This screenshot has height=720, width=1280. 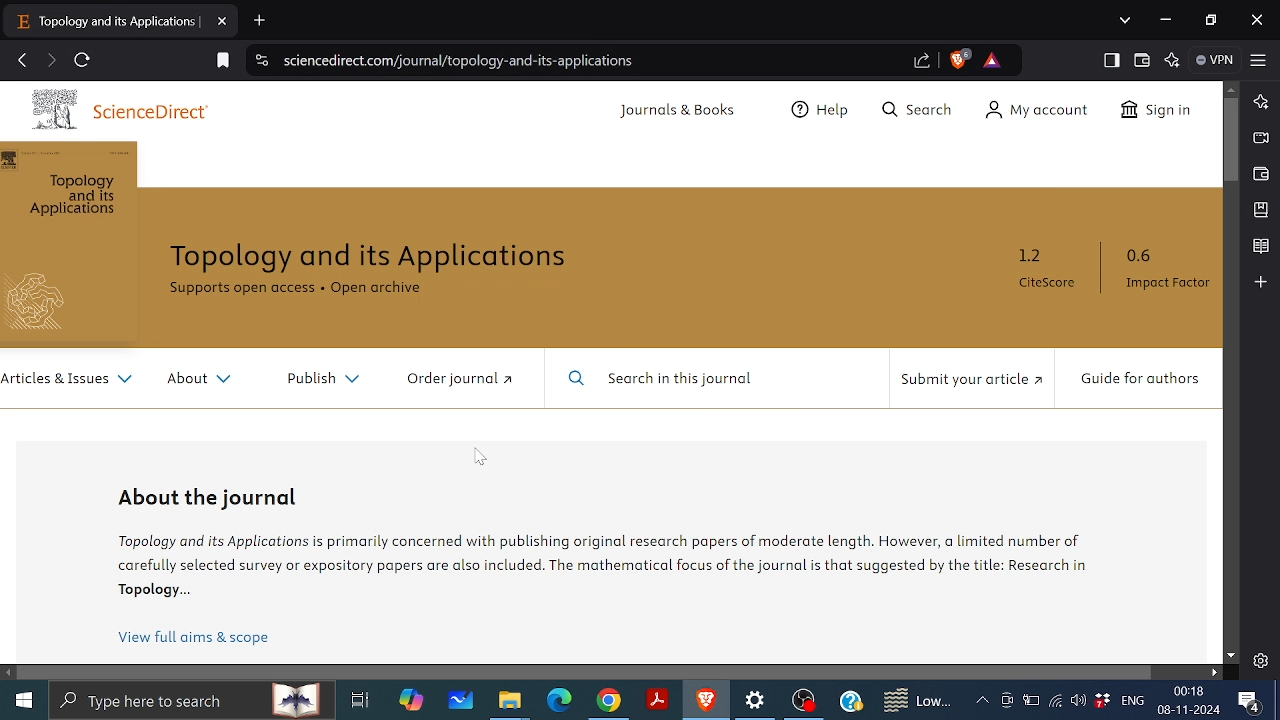 What do you see at coordinates (599, 543) in the screenshot?
I see `About the journal

Topology and its Applications is primarily concerned with publishing original research papers of moderate length. However, a limited number of
carefully selected survey or expository papers are also included. The mathematical focus of the journal is that suggested by the title: Research in
Topology...` at bounding box center [599, 543].